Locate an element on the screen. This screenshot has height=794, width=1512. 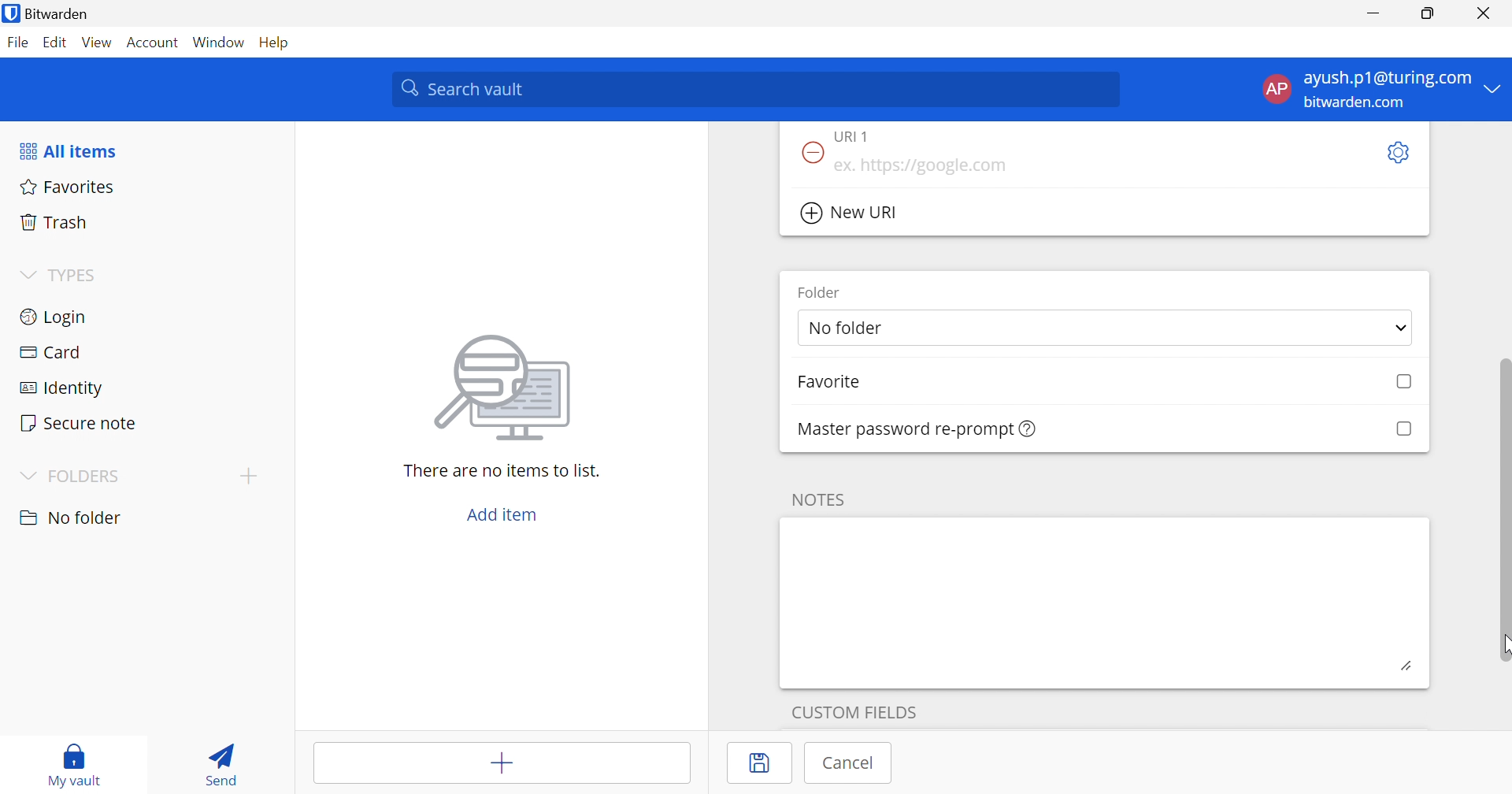
Trash is located at coordinates (54, 220).